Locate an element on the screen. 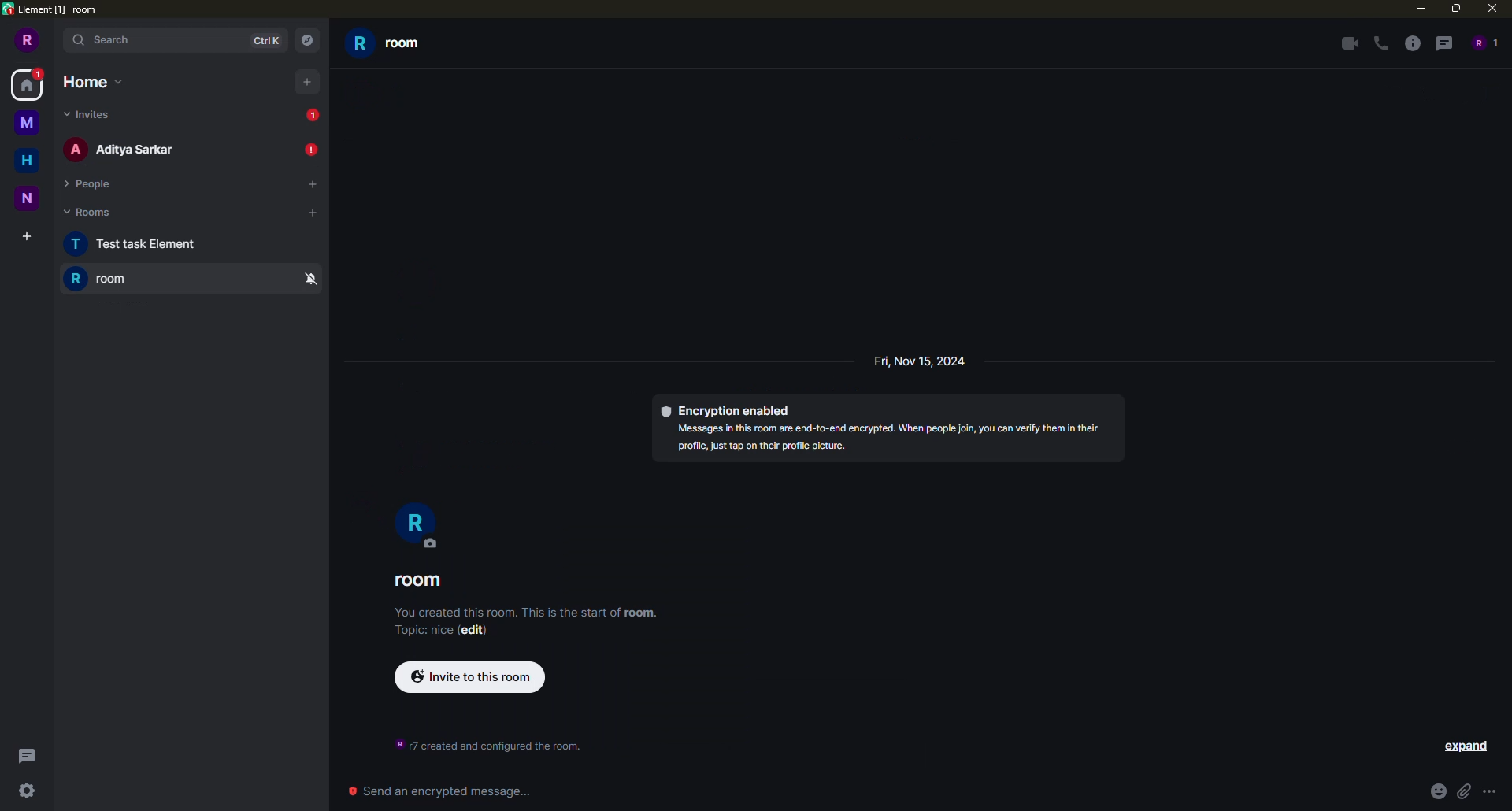 This screenshot has height=811, width=1512. info is located at coordinates (488, 743).